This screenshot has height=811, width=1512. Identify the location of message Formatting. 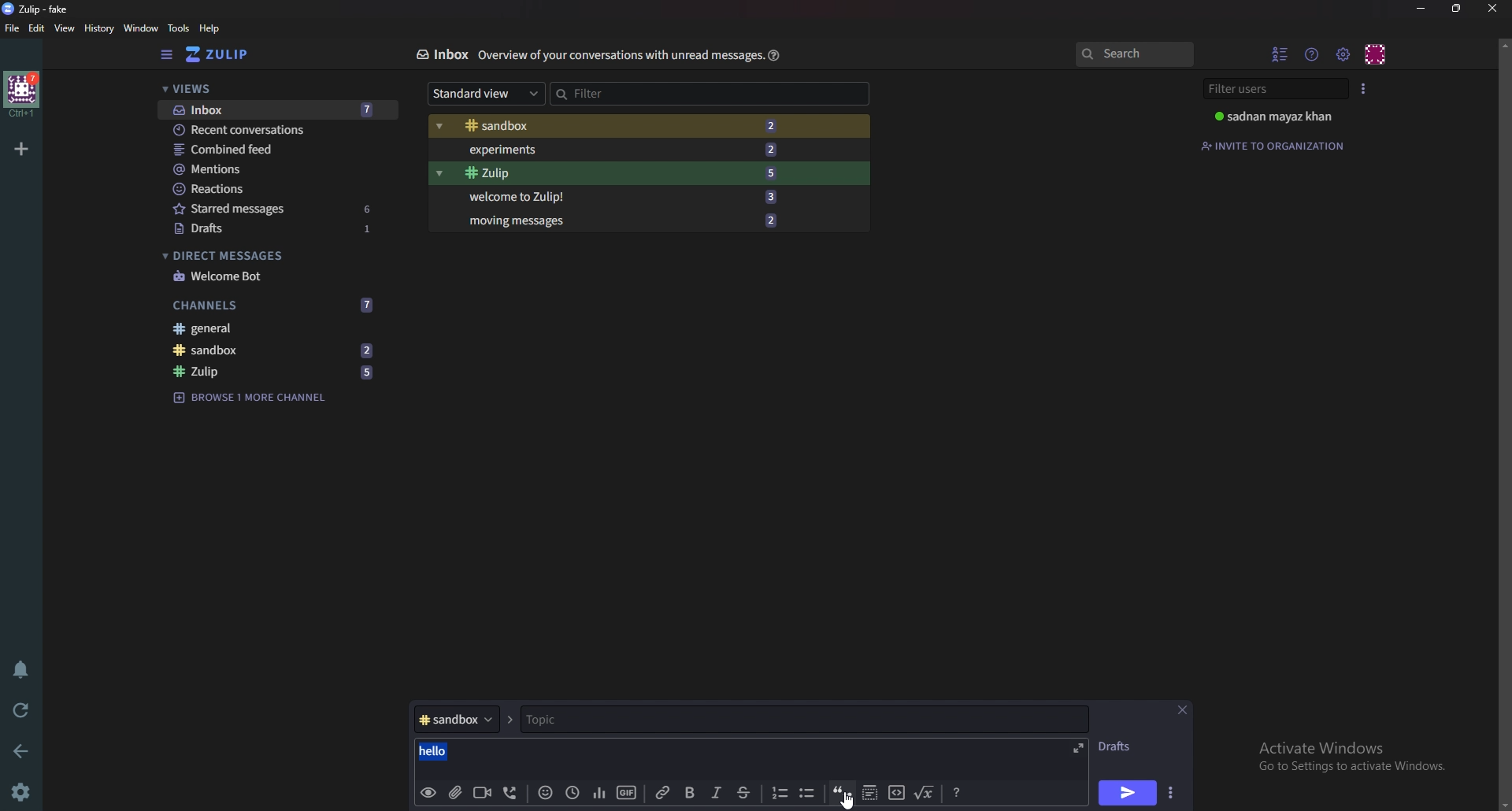
(961, 791).